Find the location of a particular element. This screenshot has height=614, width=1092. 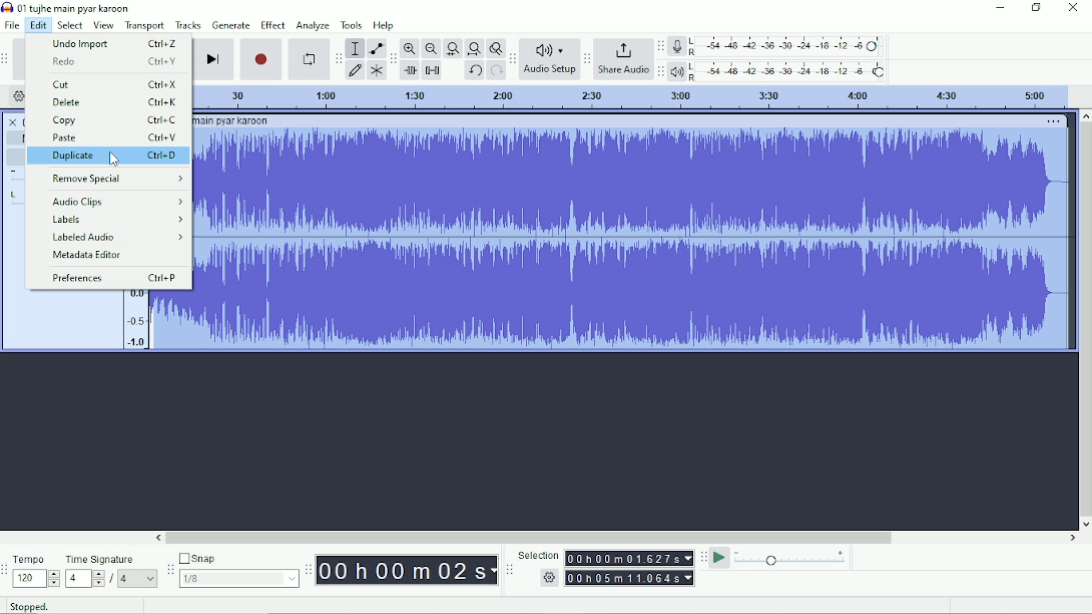

Sound is located at coordinates (135, 319).